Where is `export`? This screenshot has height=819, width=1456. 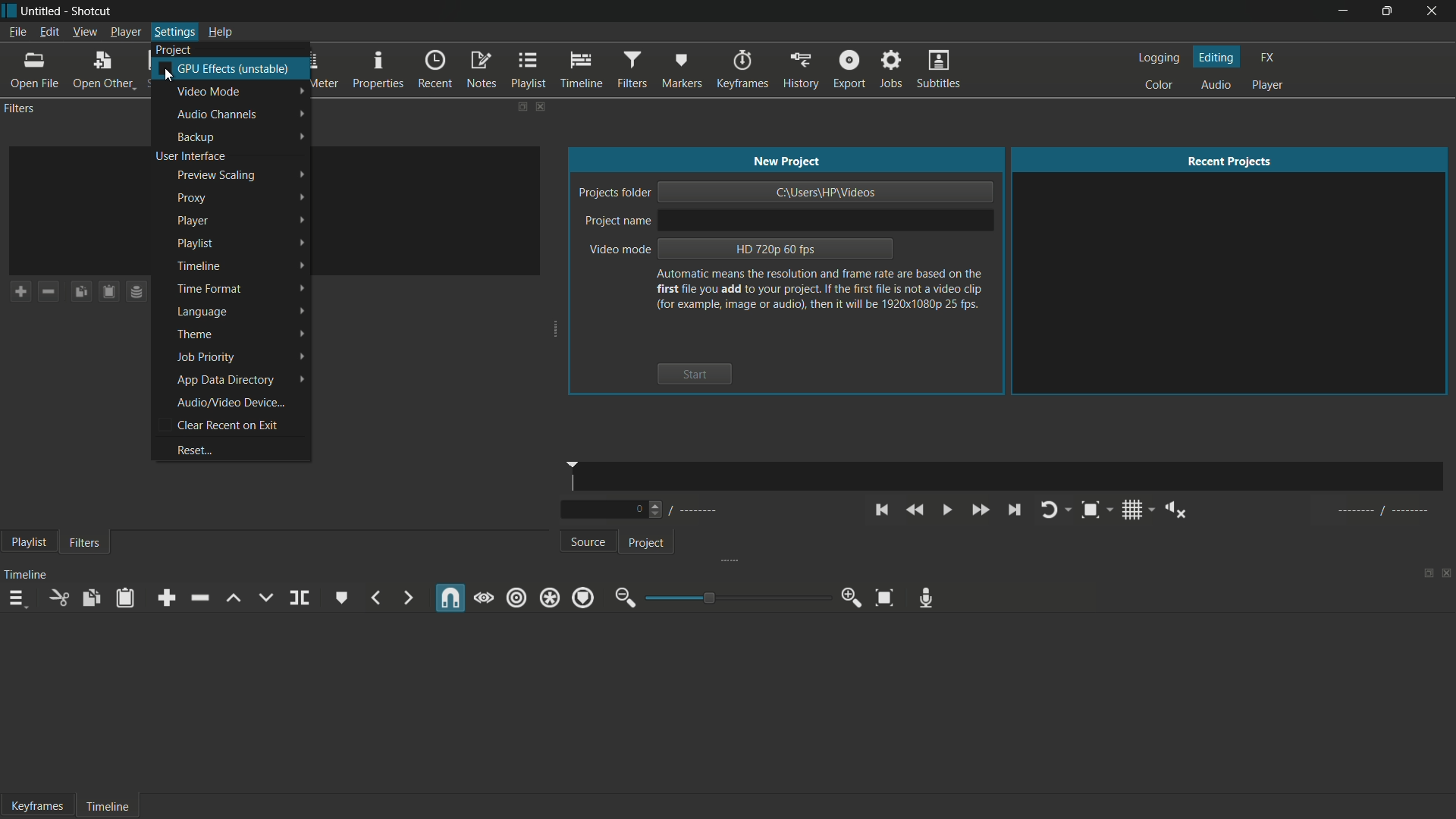 export is located at coordinates (850, 70).